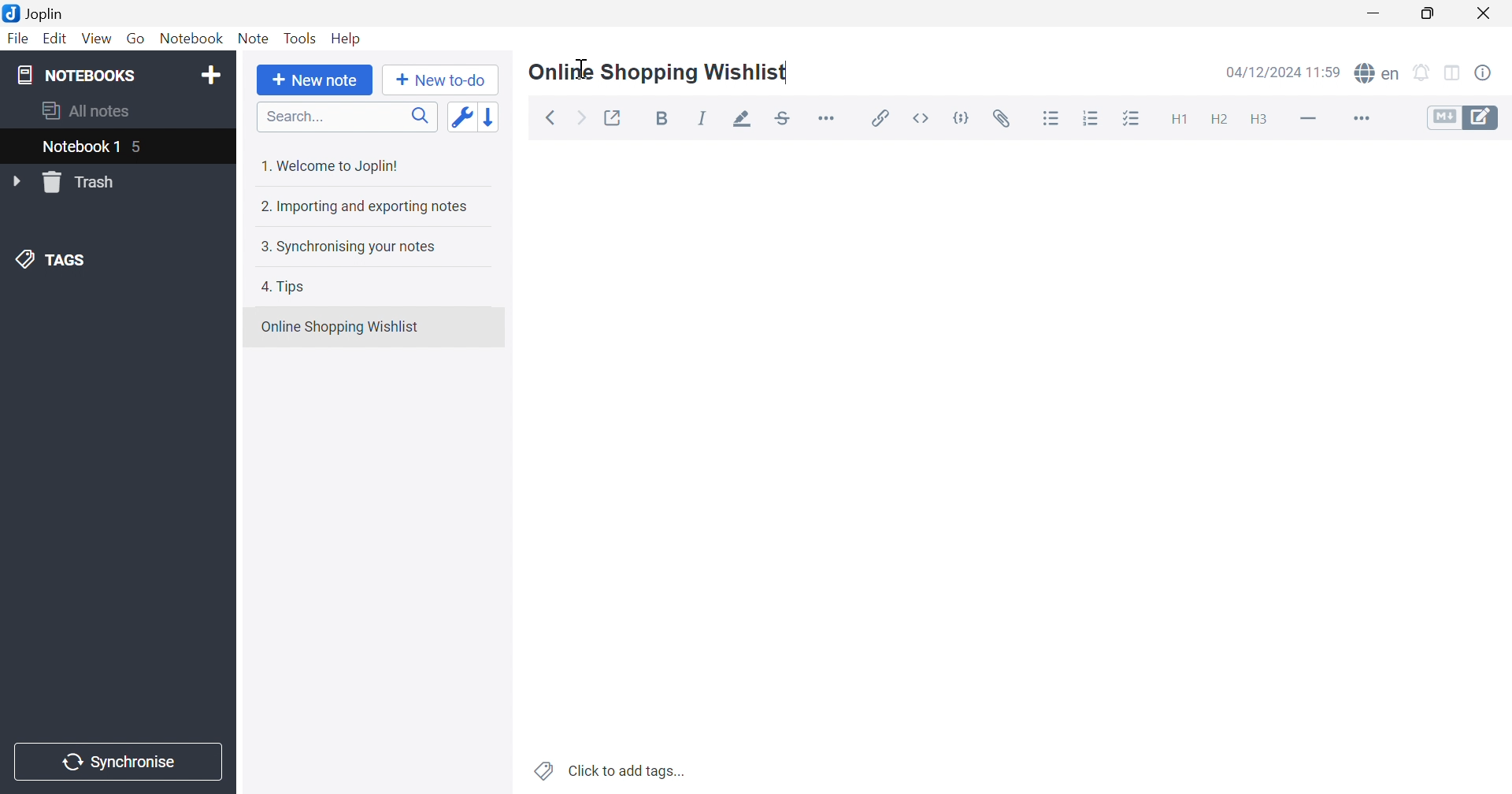 The width and height of the screenshot is (1512, 794). I want to click on Bulleted list, so click(1052, 121).